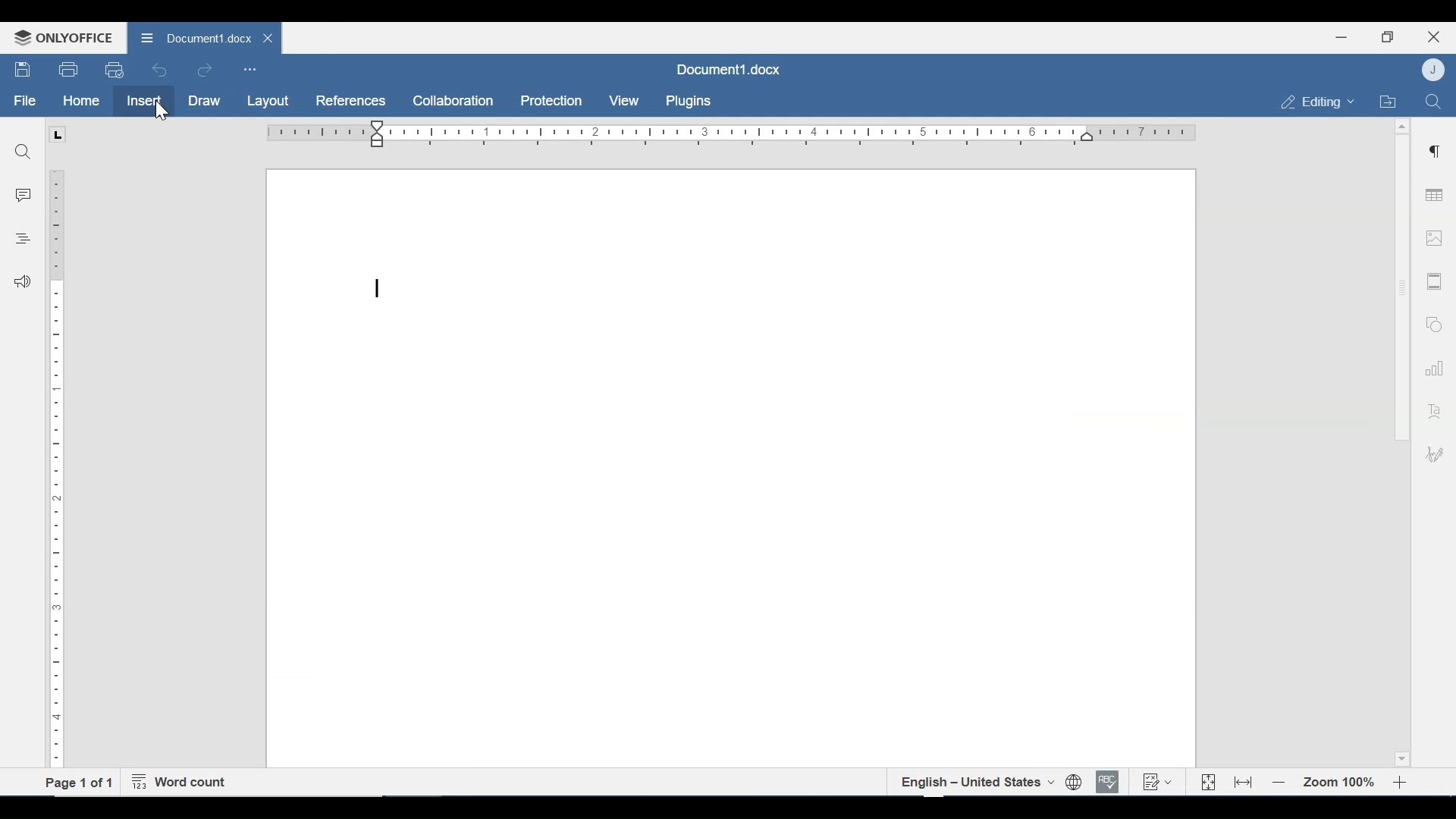  Describe the element at coordinates (730, 469) in the screenshot. I see `Page` at that location.